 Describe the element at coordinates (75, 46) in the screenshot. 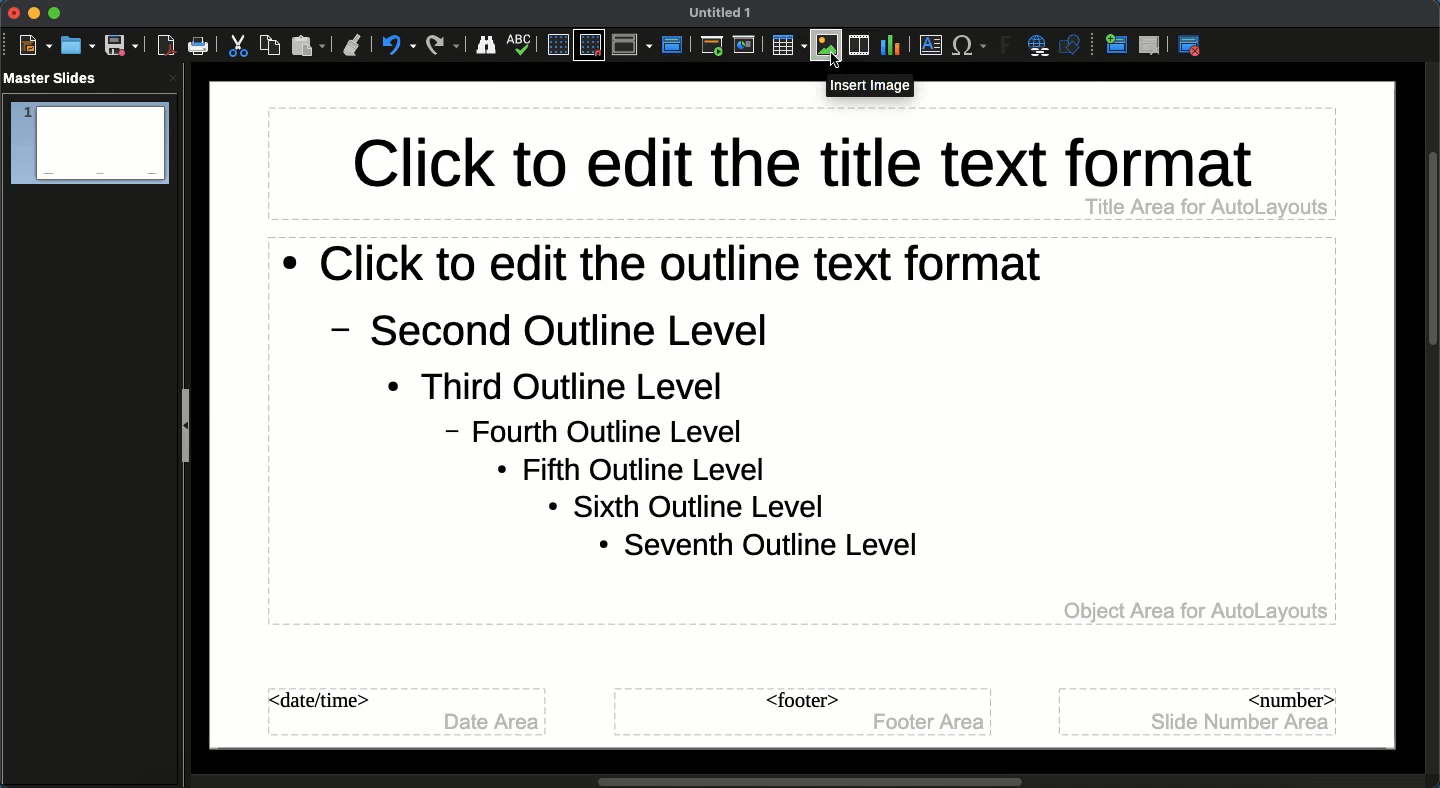

I see `Open` at that location.